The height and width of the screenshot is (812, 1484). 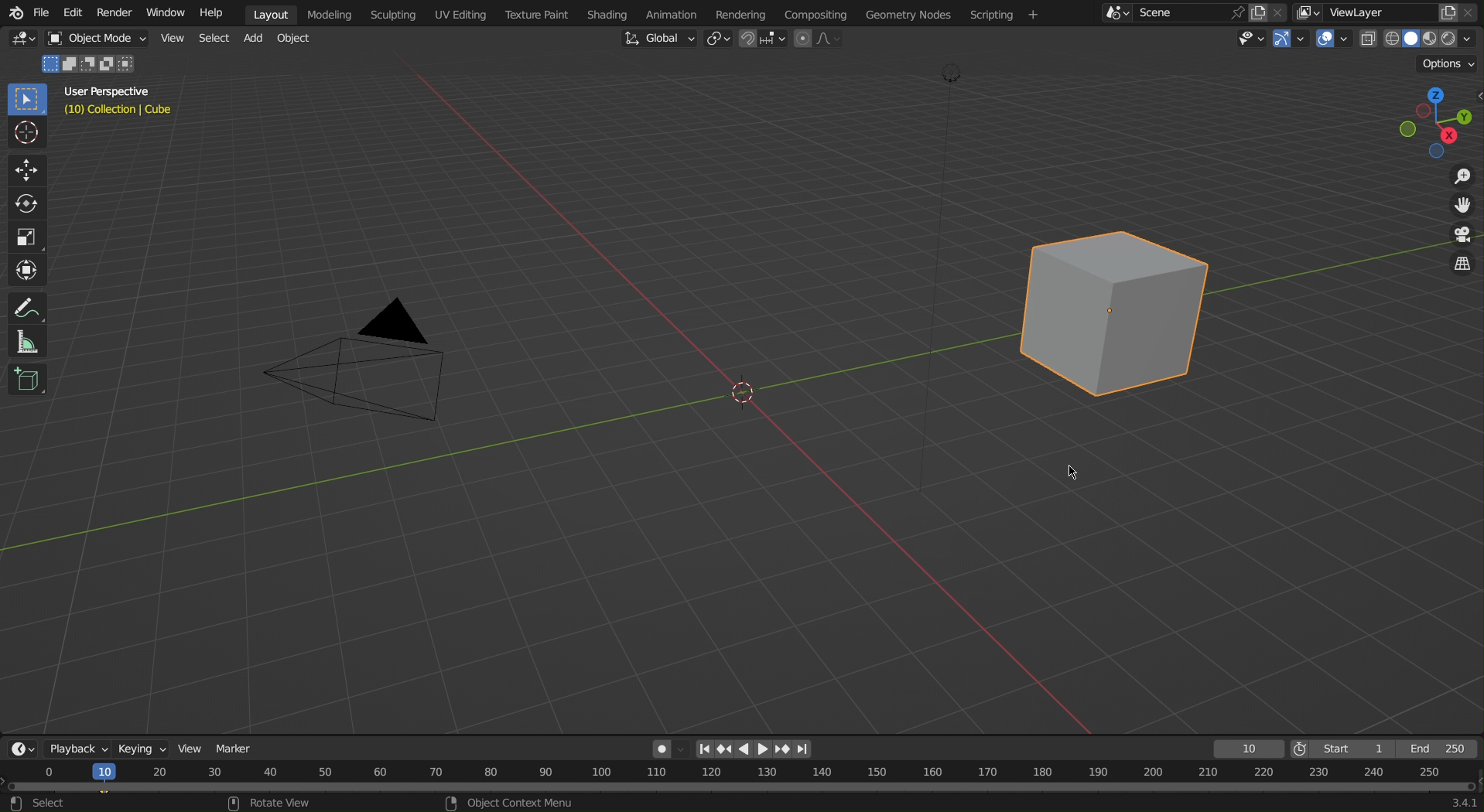 What do you see at coordinates (819, 39) in the screenshot?
I see `Proportional Editing` at bounding box center [819, 39].